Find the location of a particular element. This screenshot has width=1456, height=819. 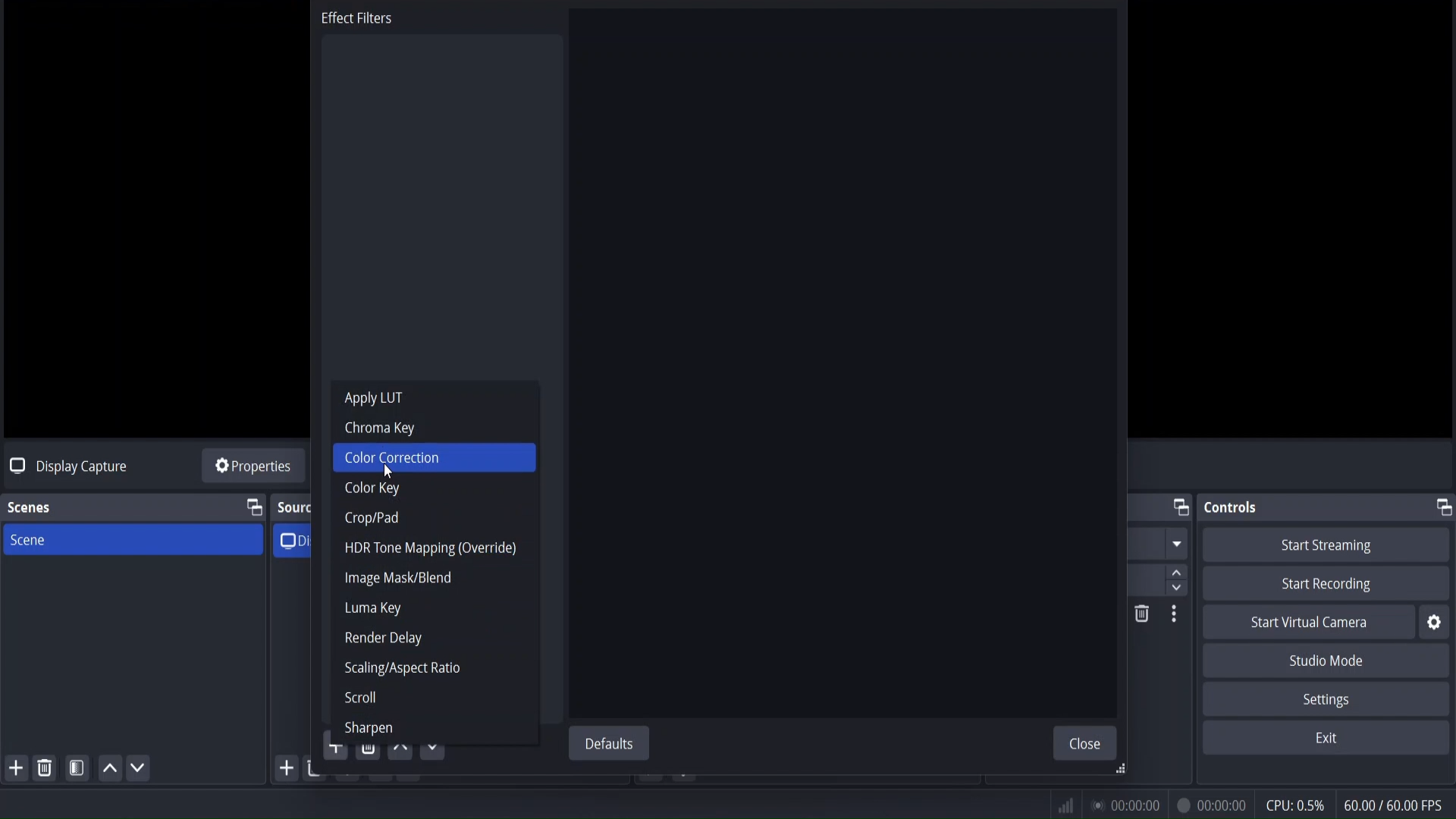

hdr tone mapping(override) is located at coordinates (428, 548).